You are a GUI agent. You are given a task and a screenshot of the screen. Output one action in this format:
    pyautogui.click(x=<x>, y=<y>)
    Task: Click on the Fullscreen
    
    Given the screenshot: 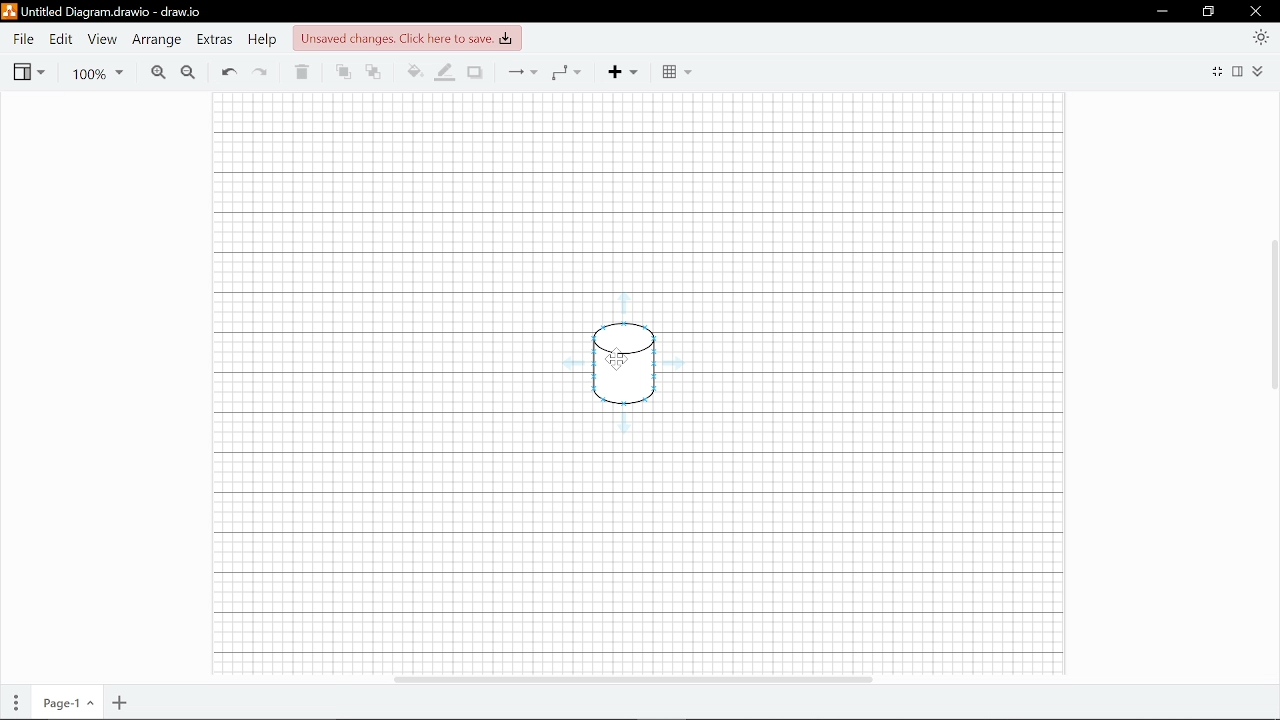 What is the action you would take?
    pyautogui.click(x=1218, y=70)
    